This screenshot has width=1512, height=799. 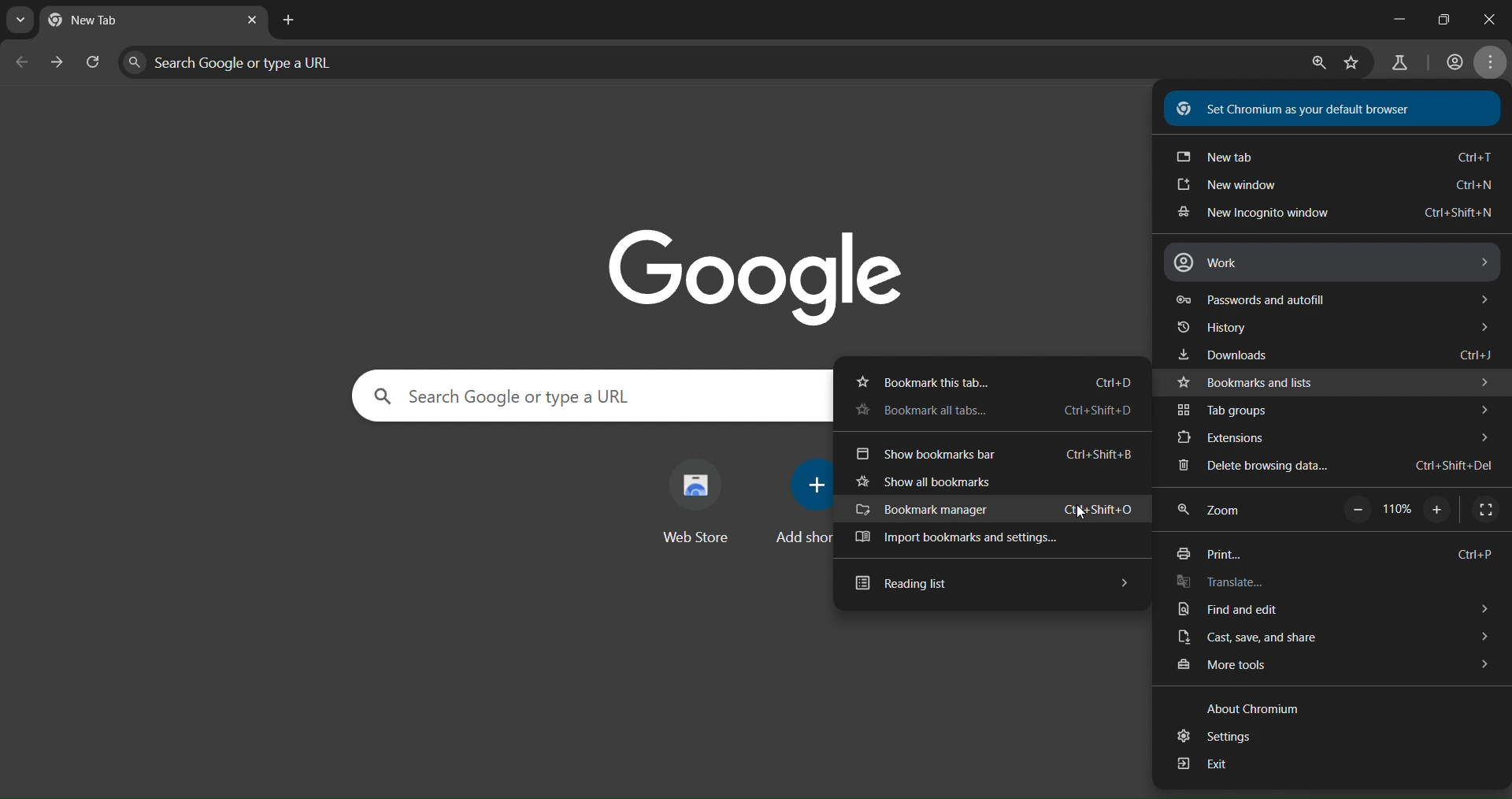 I want to click on zoom out, so click(x=1354, y=510).